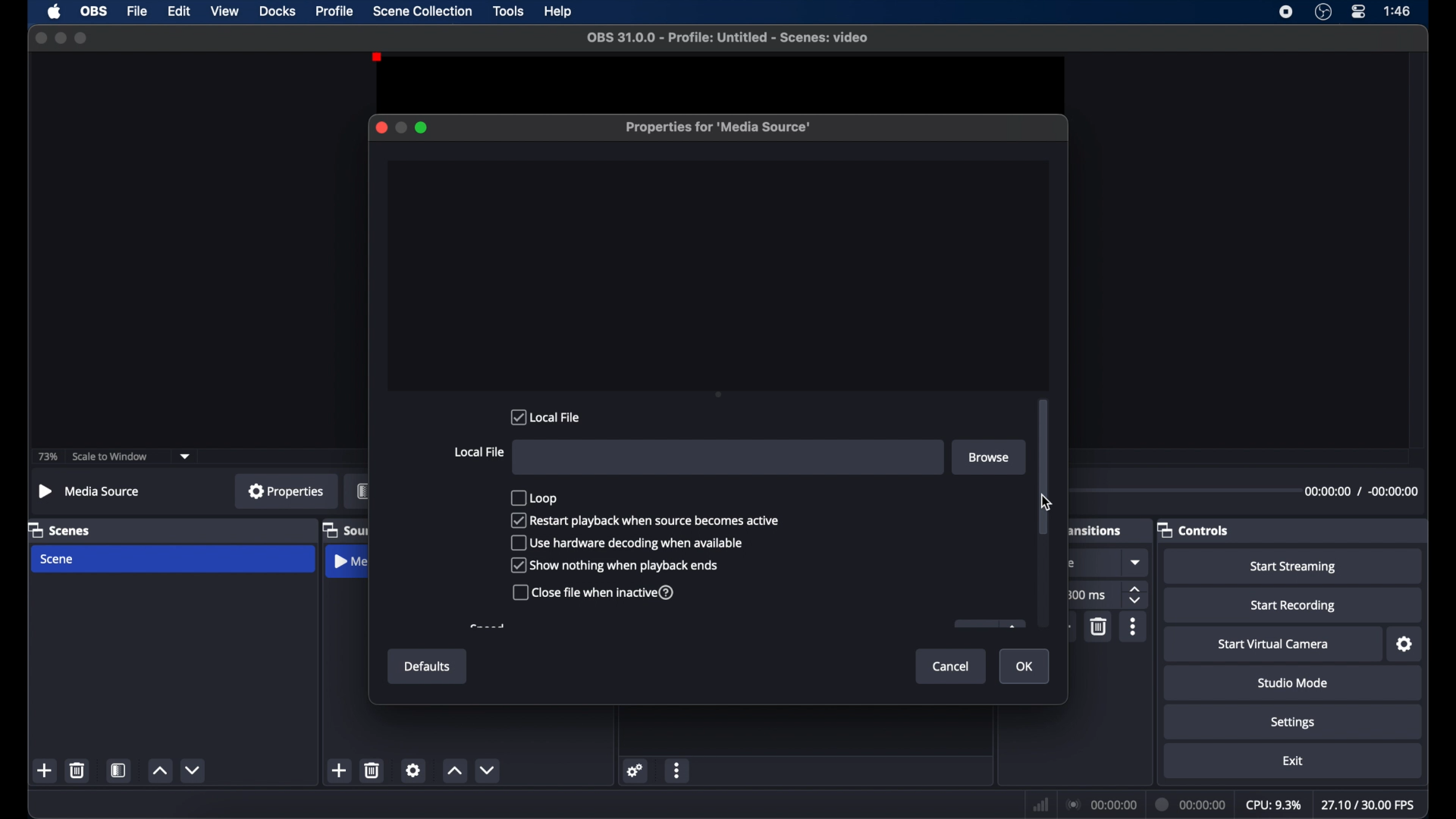  What do you see at coordinates (1370, 805) in the screenshot?
I see `fps` at bounding box center [1370, 805].